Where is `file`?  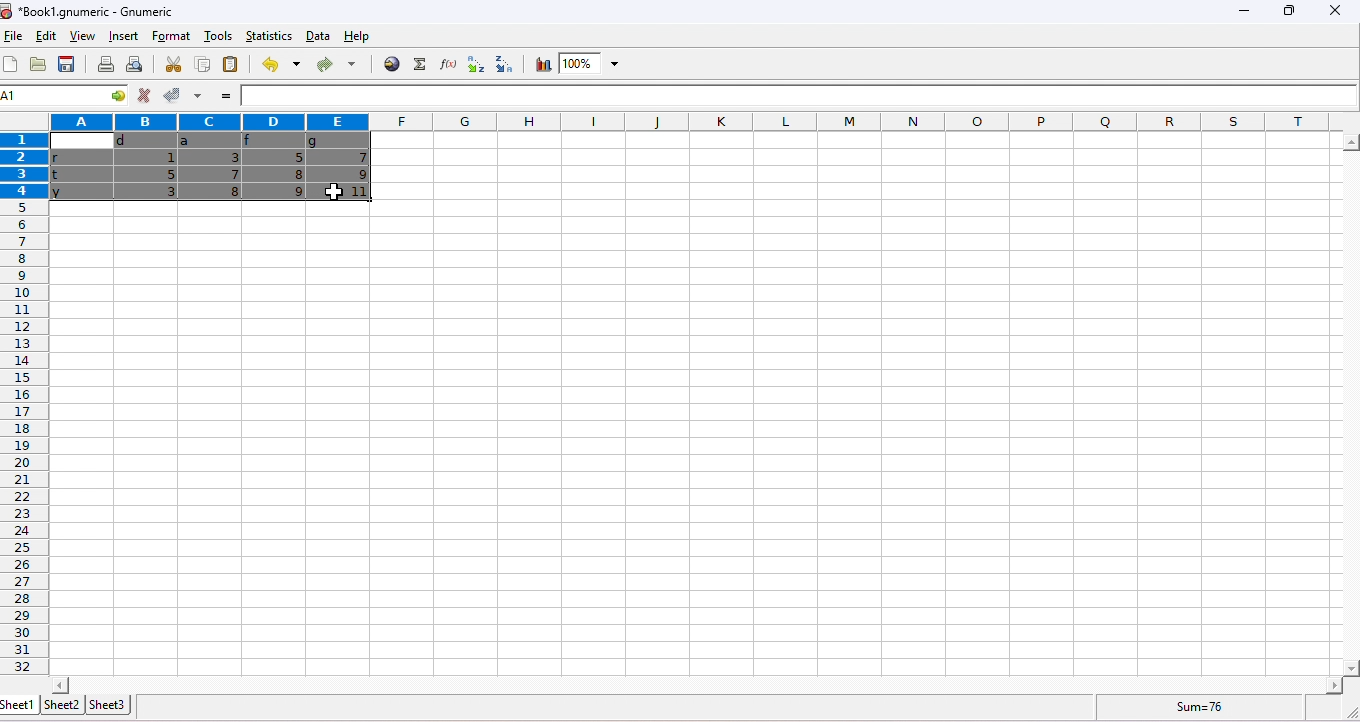
file is located at coordinates (14, 37).